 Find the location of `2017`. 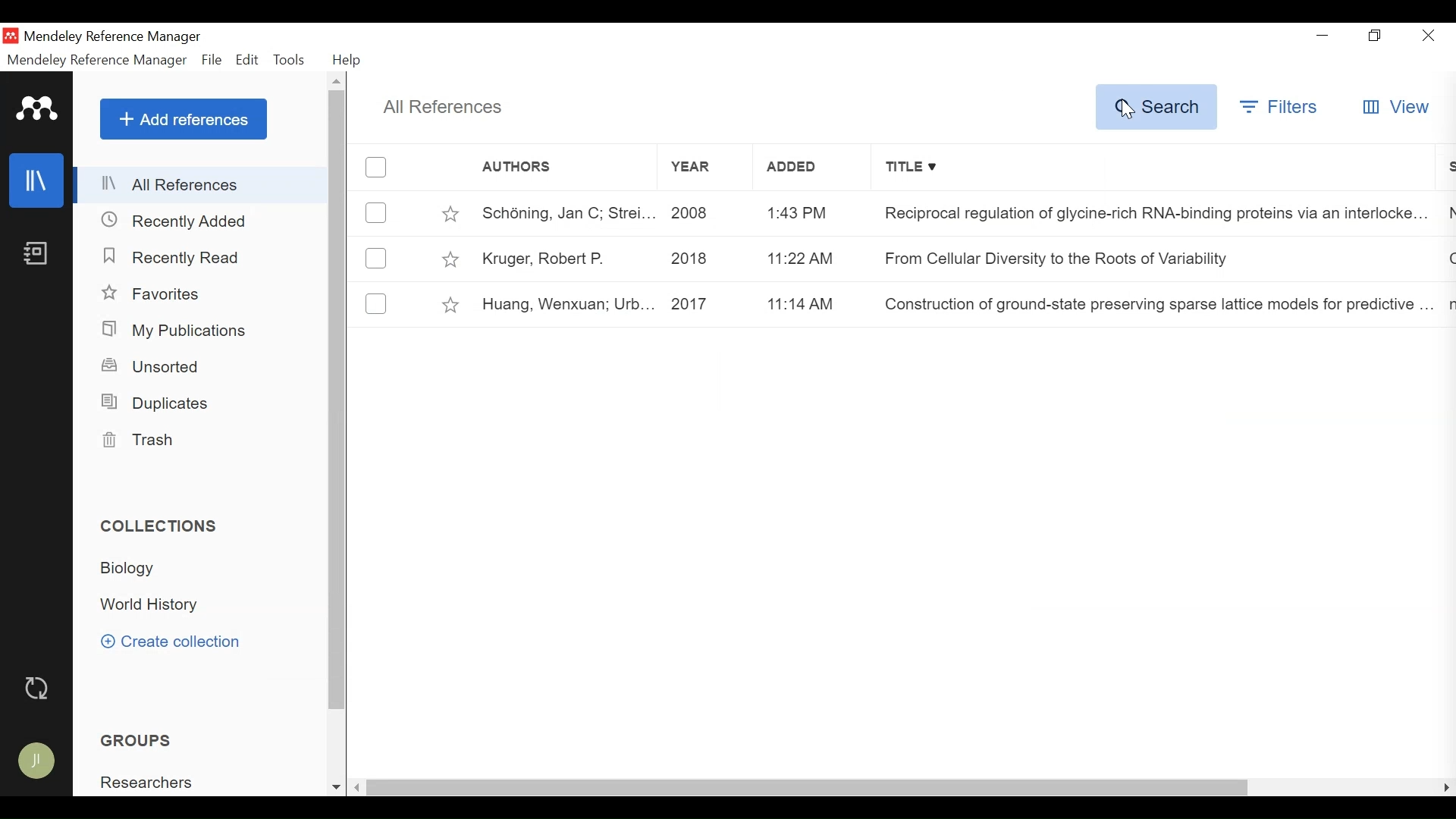

2017 is located at coordinates (707, 306).